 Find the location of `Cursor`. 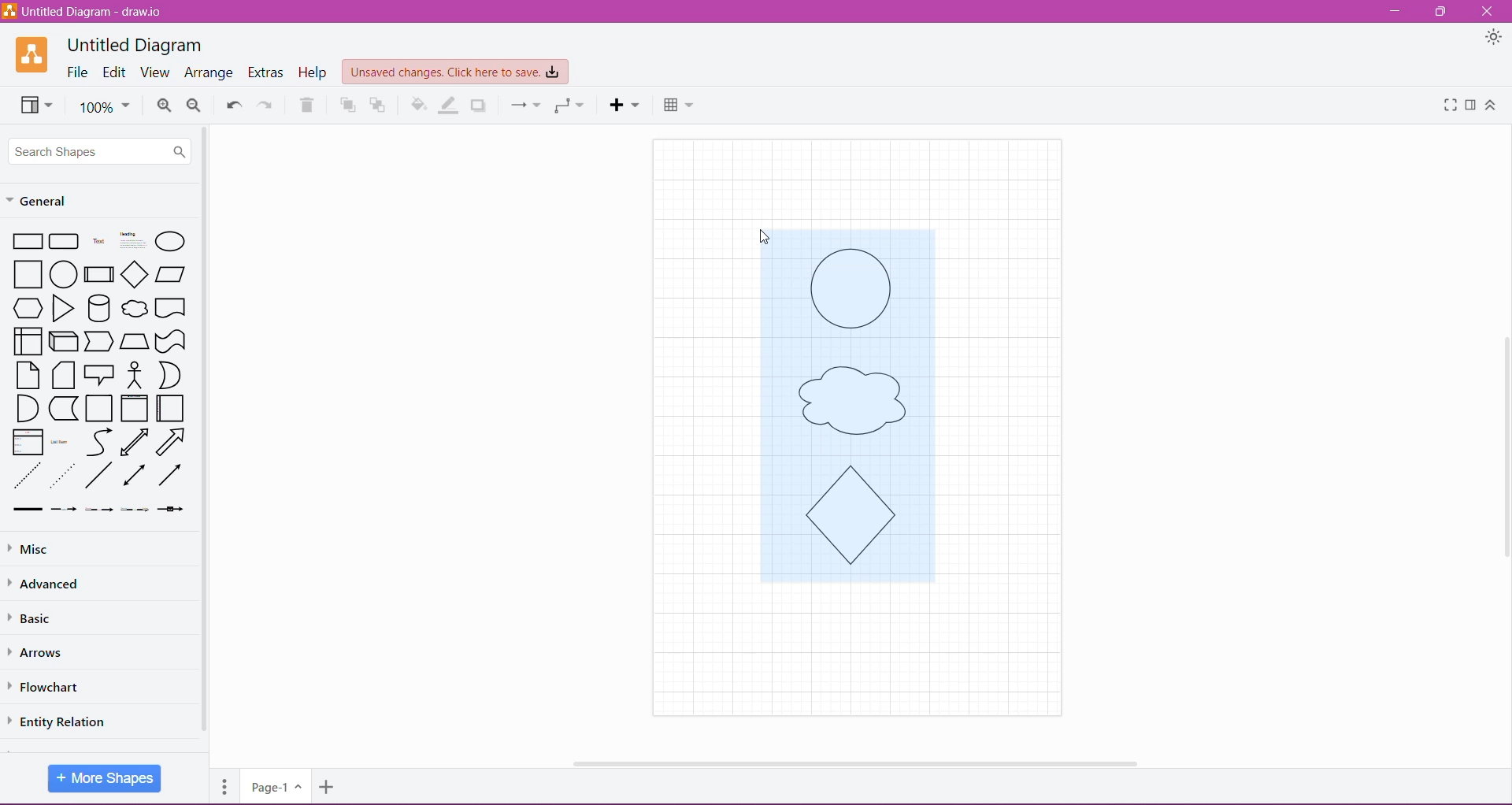

Cursor is located at coordinates (762, 232).